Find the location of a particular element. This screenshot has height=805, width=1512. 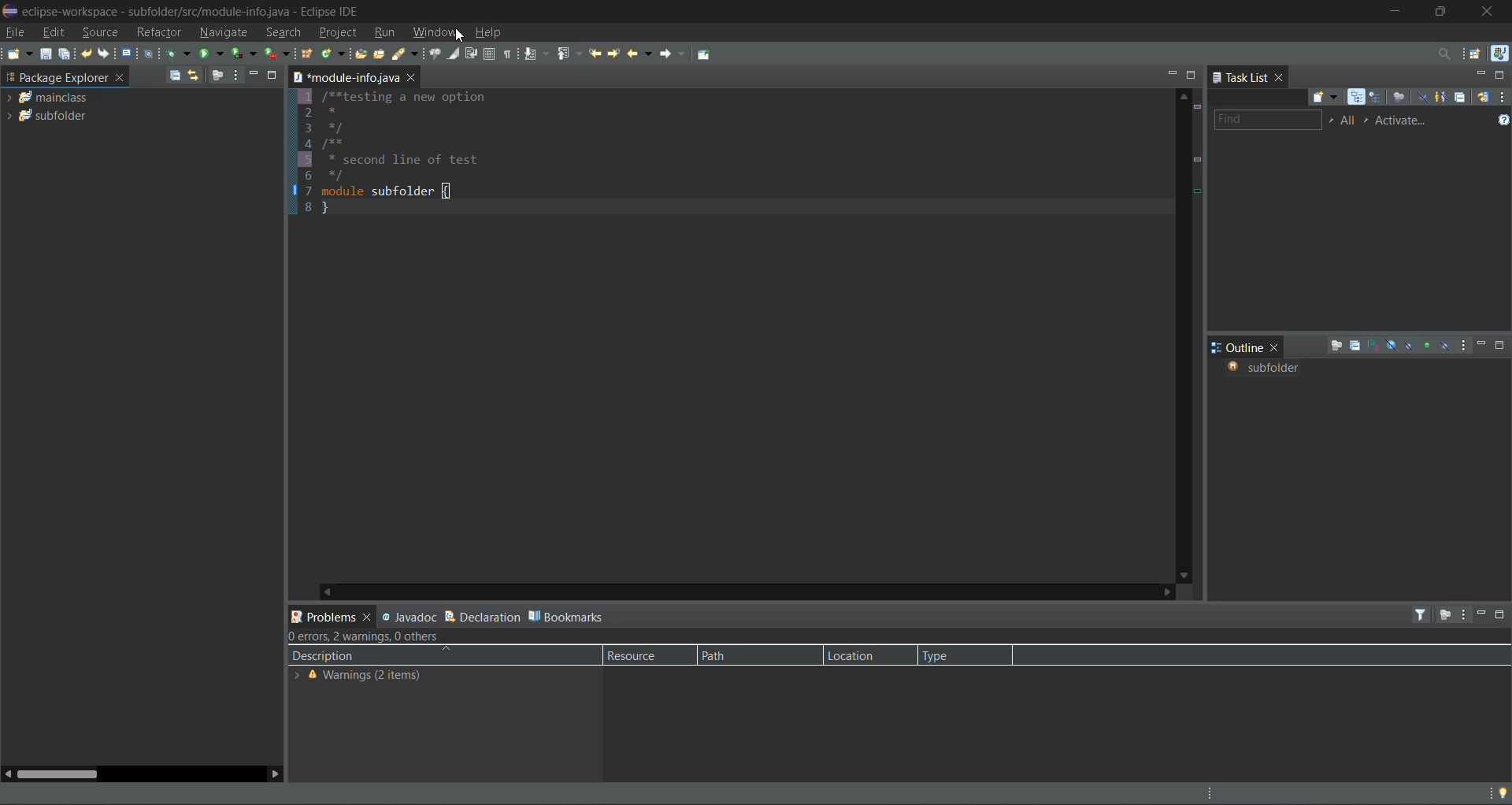

focus on active task is located at coordinates (218, 76).